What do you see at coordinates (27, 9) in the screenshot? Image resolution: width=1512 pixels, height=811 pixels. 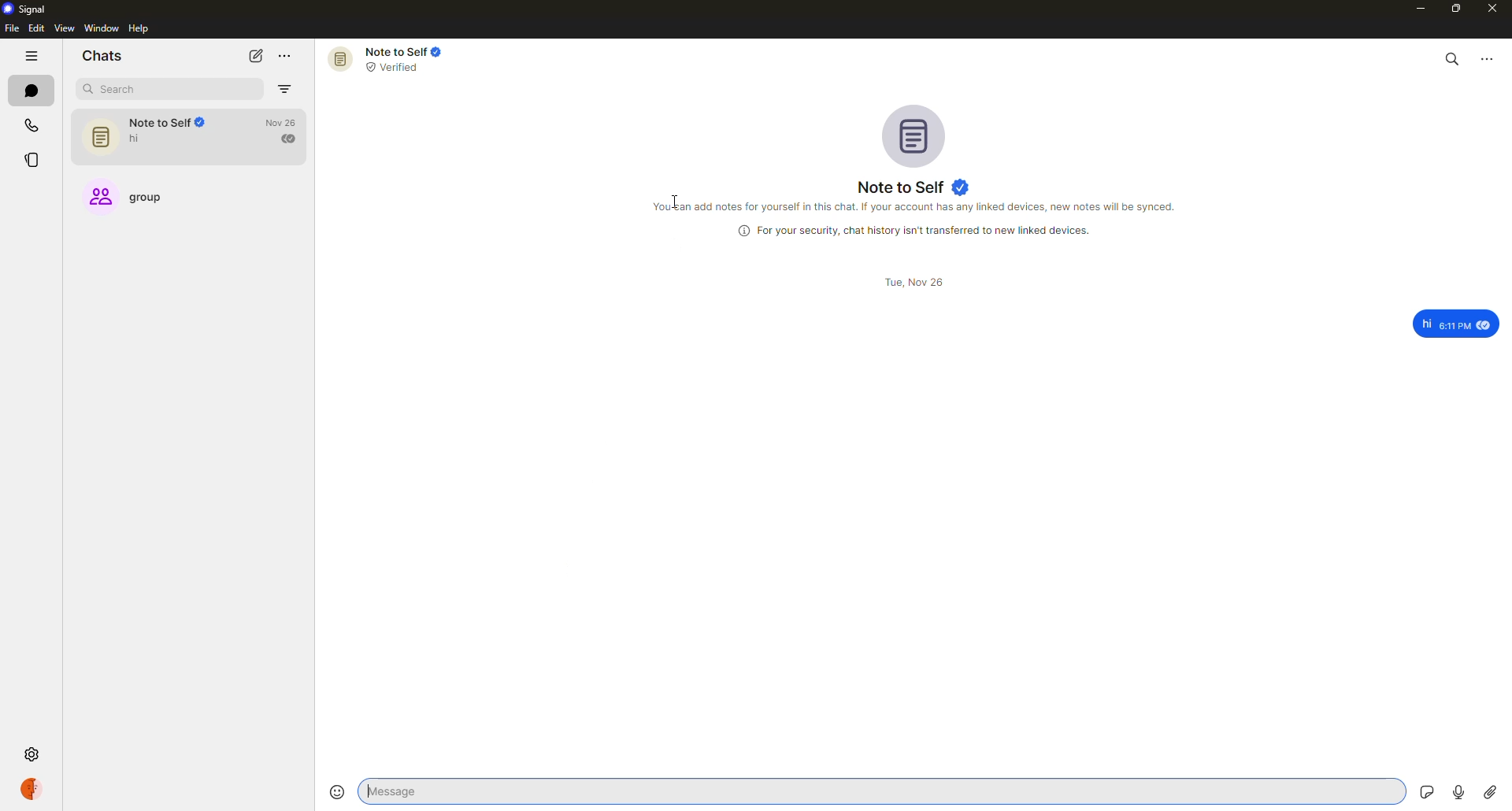 I see `signal` at bounding box center [27, 9].